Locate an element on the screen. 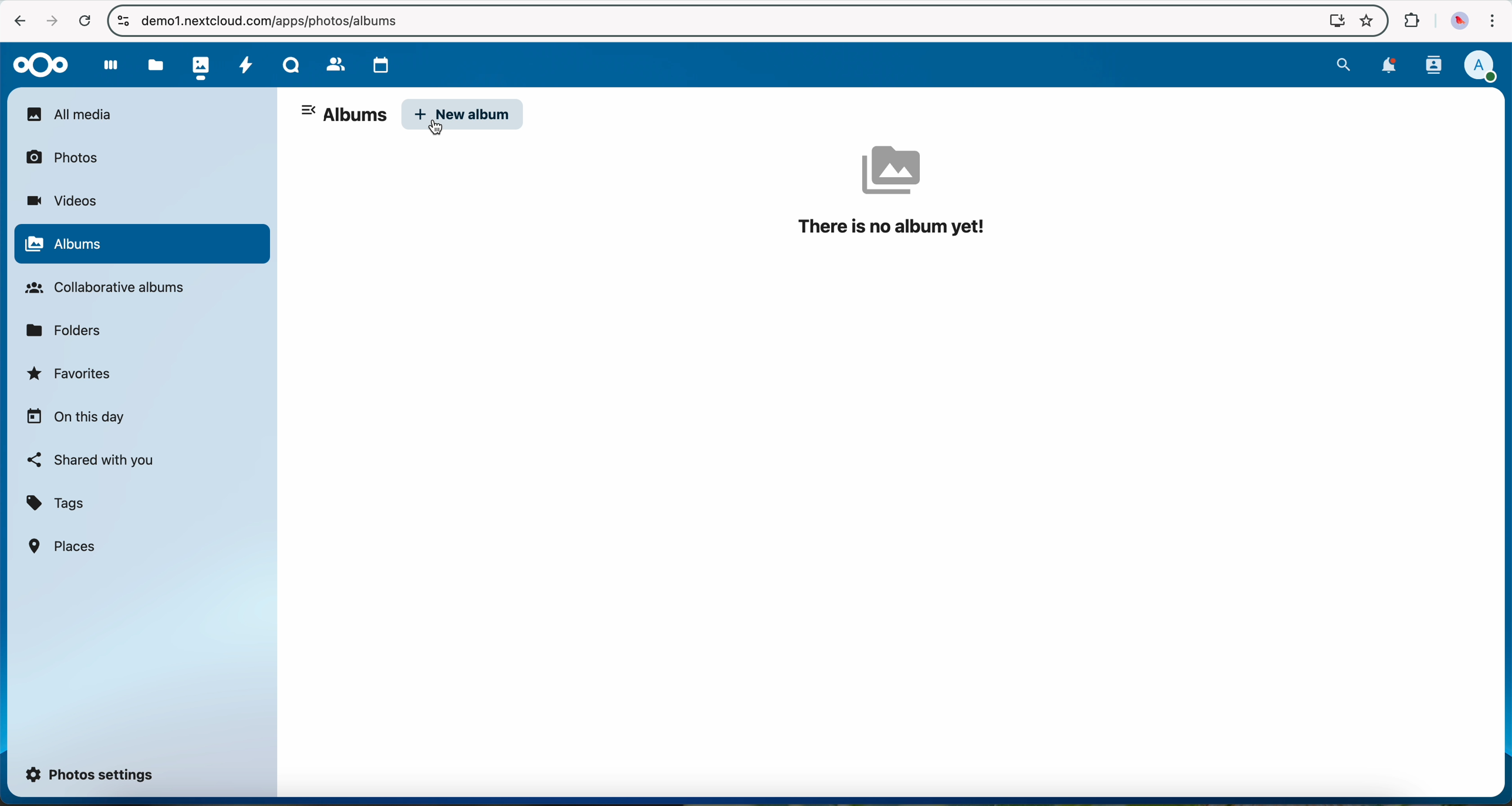  hide sidebar is located at coordinates (310, 112).